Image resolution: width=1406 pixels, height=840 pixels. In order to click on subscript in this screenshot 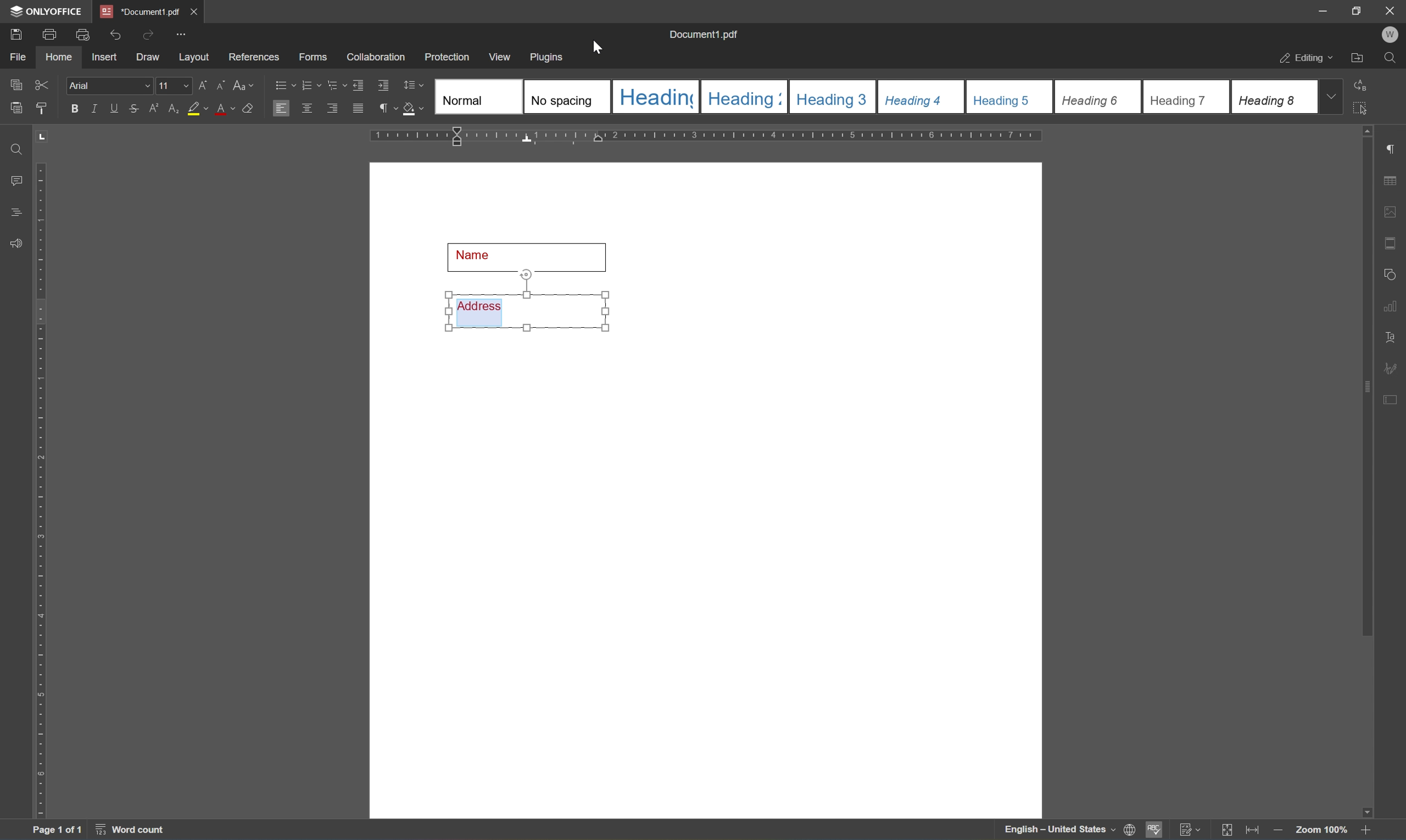, I will do `click(172, 107)`.